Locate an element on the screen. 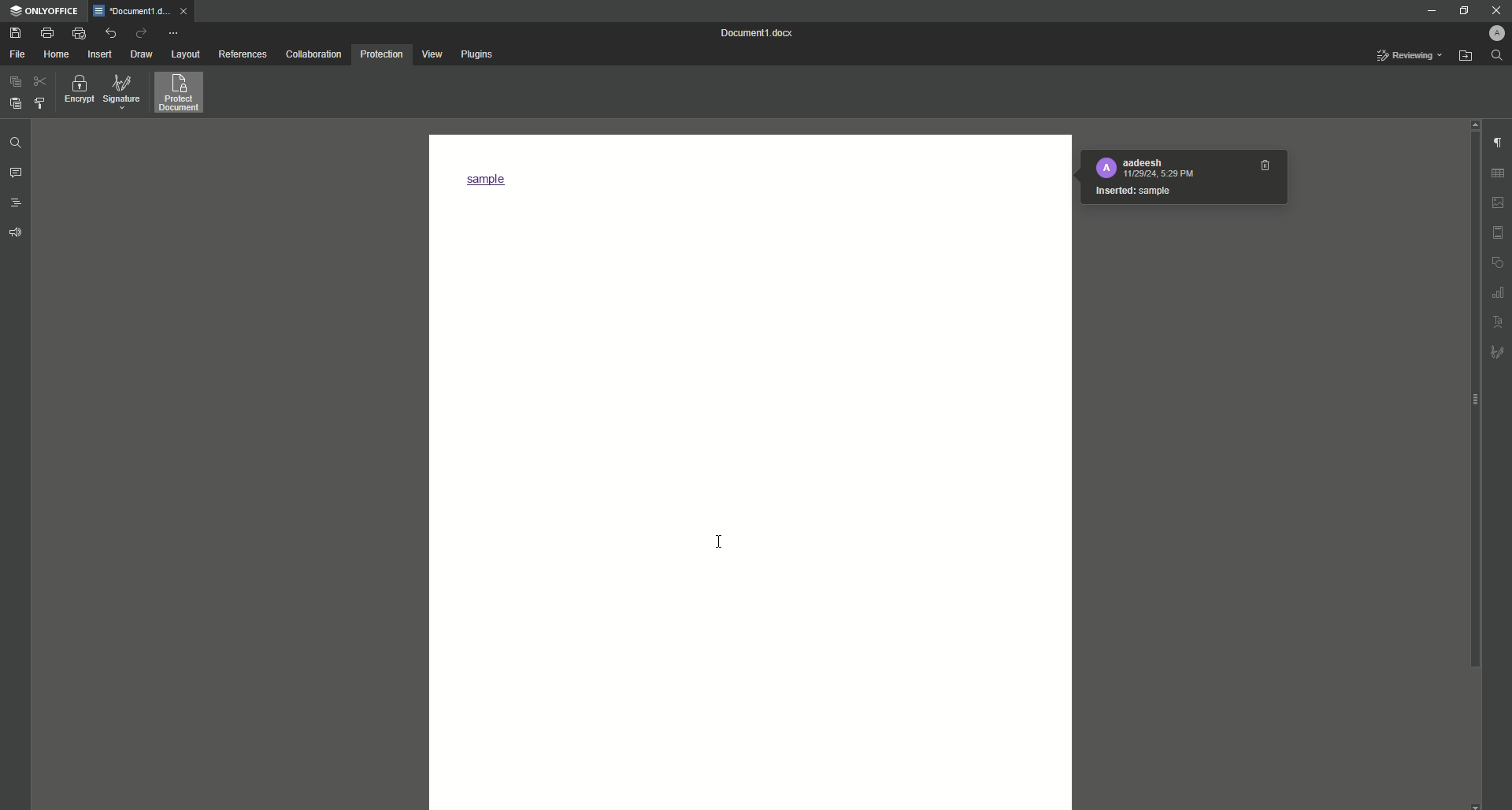 The height and width of the screenshot is (810, 1512). Image settings is located at coordinates (1499, 202).